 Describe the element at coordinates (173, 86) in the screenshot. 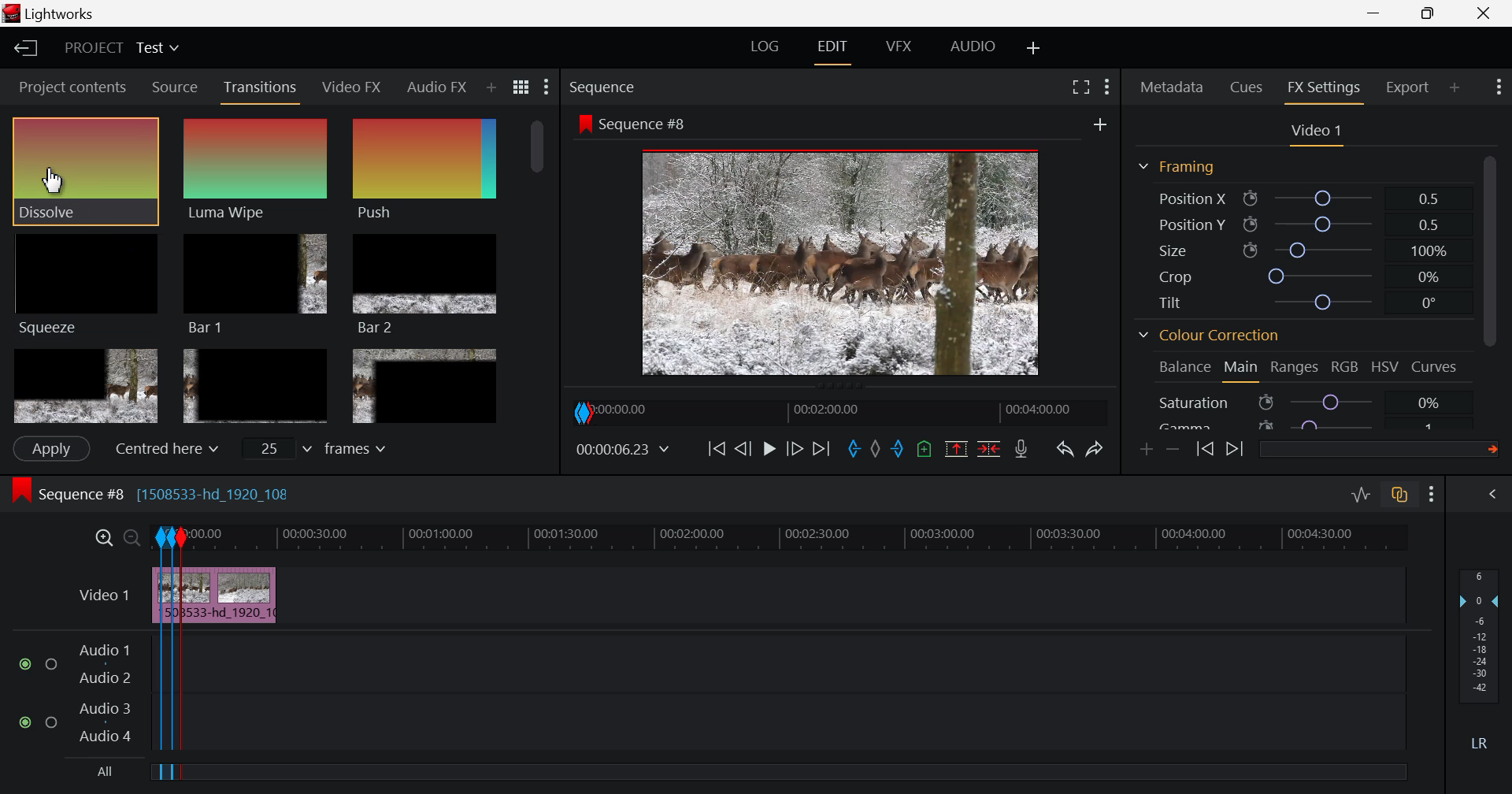

I see `Source` at that location.